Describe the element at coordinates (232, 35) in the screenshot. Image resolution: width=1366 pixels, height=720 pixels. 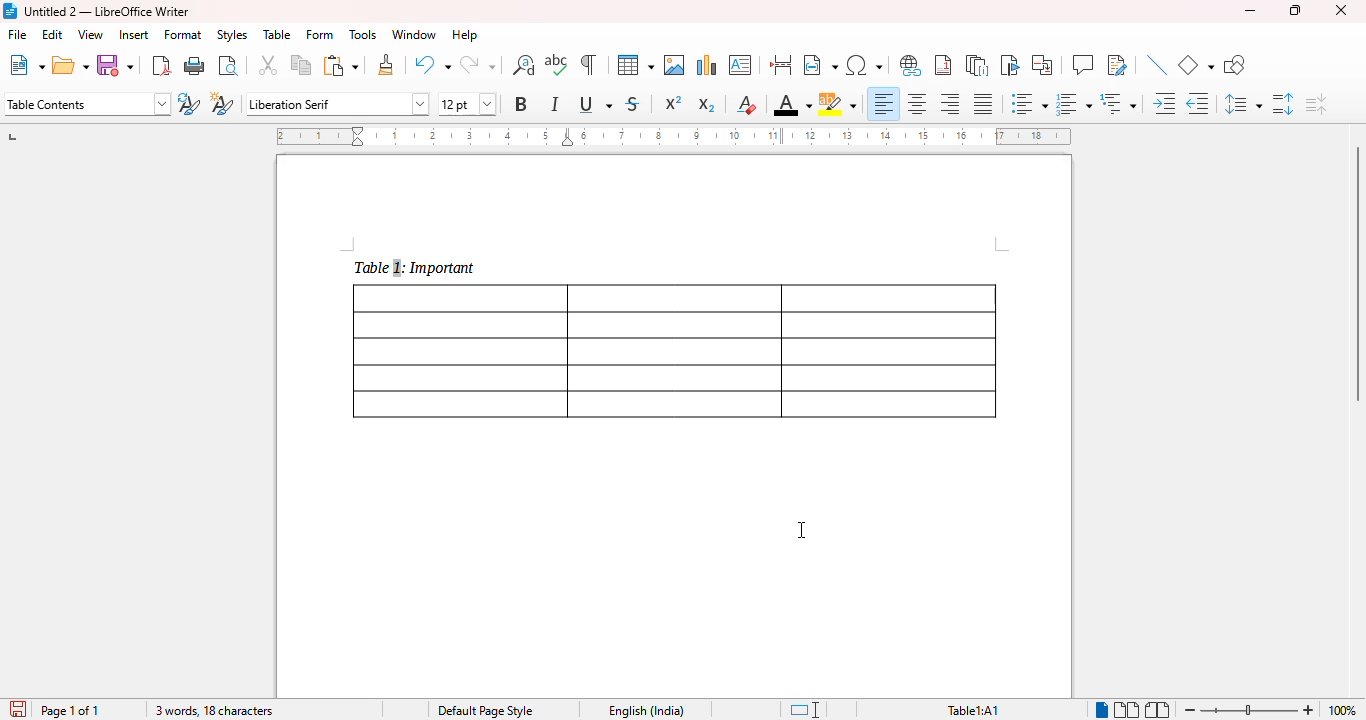
I see `styles` at that location.